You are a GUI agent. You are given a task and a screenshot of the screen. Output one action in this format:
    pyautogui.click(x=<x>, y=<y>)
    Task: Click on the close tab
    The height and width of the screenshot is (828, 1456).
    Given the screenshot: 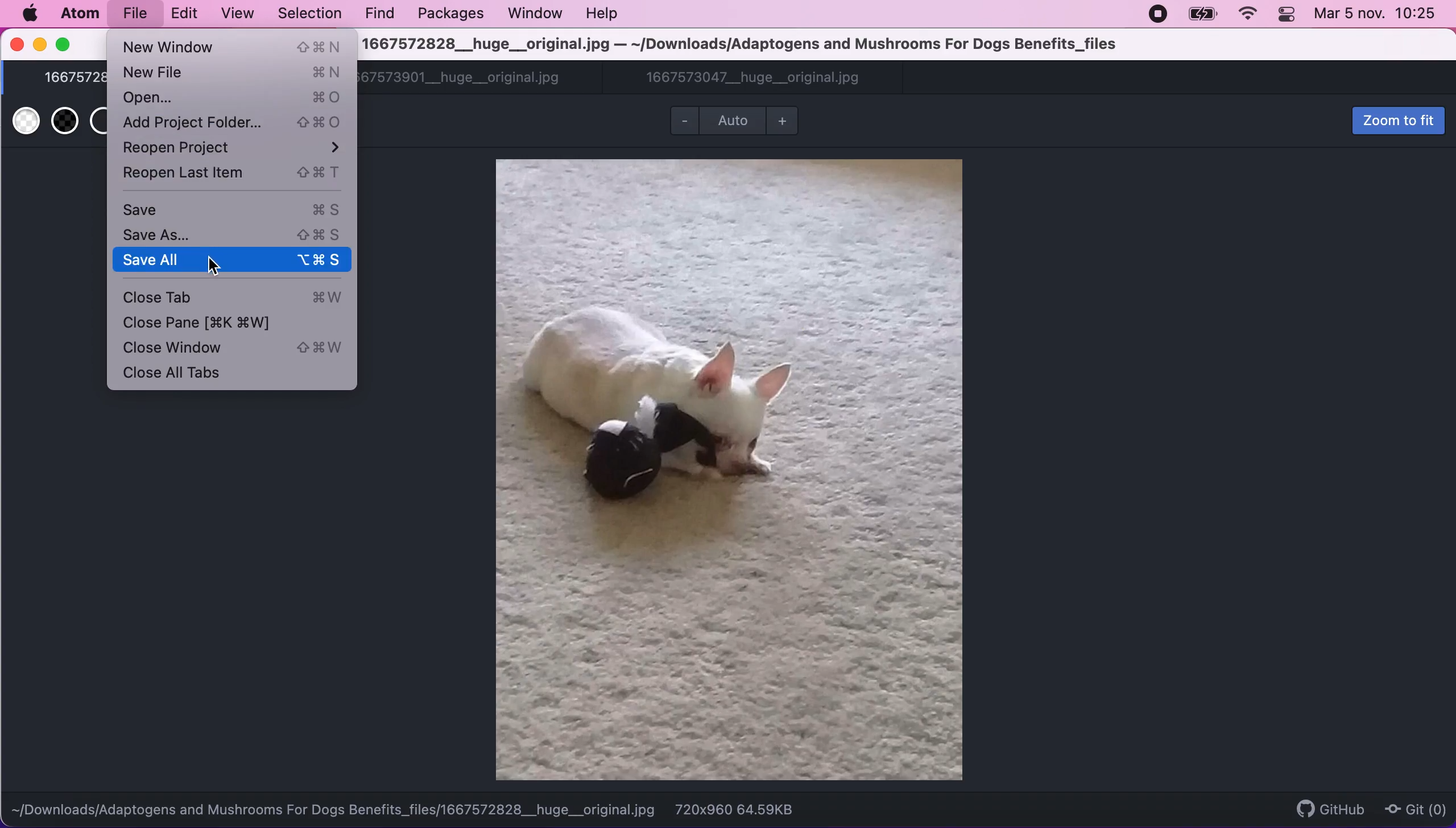 What is the action you would take?
    pyautogui.click(x=230, y=296)
    